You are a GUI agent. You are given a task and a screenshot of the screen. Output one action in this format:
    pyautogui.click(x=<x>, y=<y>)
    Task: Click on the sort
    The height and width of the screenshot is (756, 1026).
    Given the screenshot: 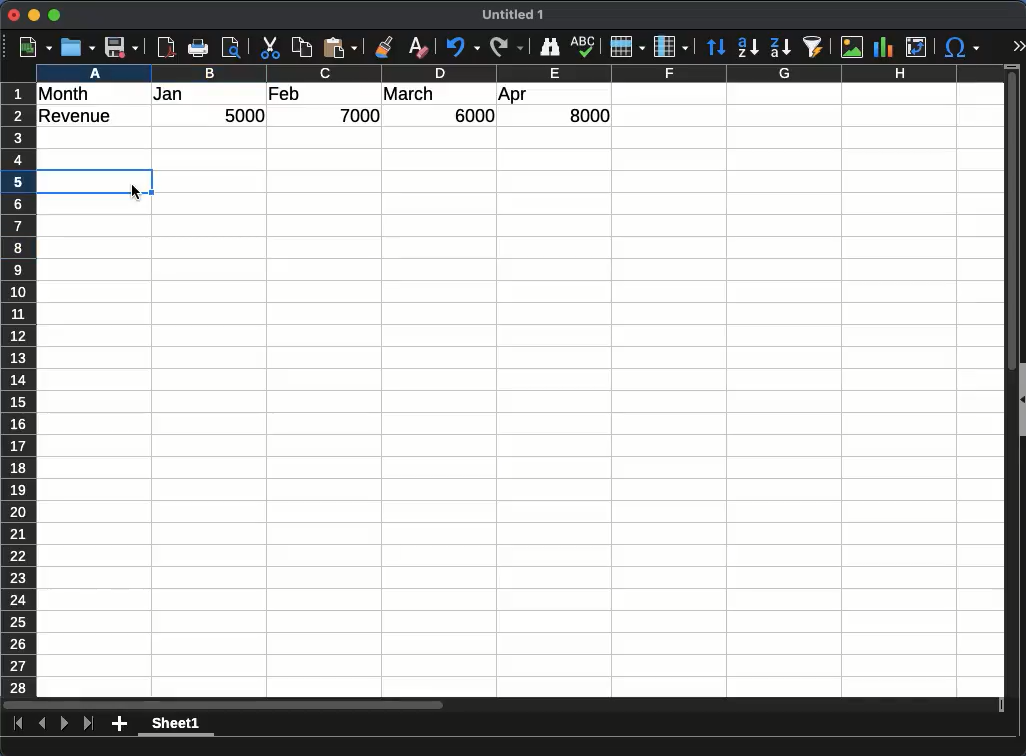 What is the action you would take?
    pyautogui.click(x=715, y=48)
    